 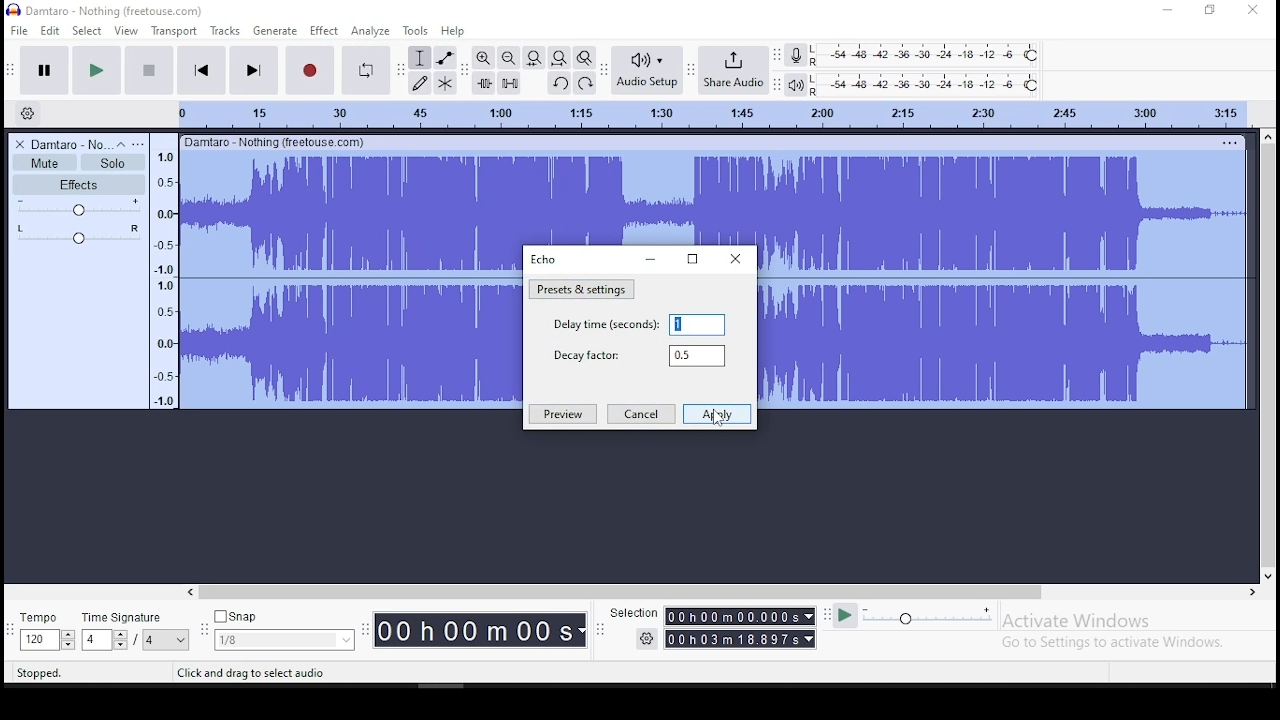 What do you see at coordinates (324, 31) in the screenshot?
I see `effects` at bounding box center [324, 31].